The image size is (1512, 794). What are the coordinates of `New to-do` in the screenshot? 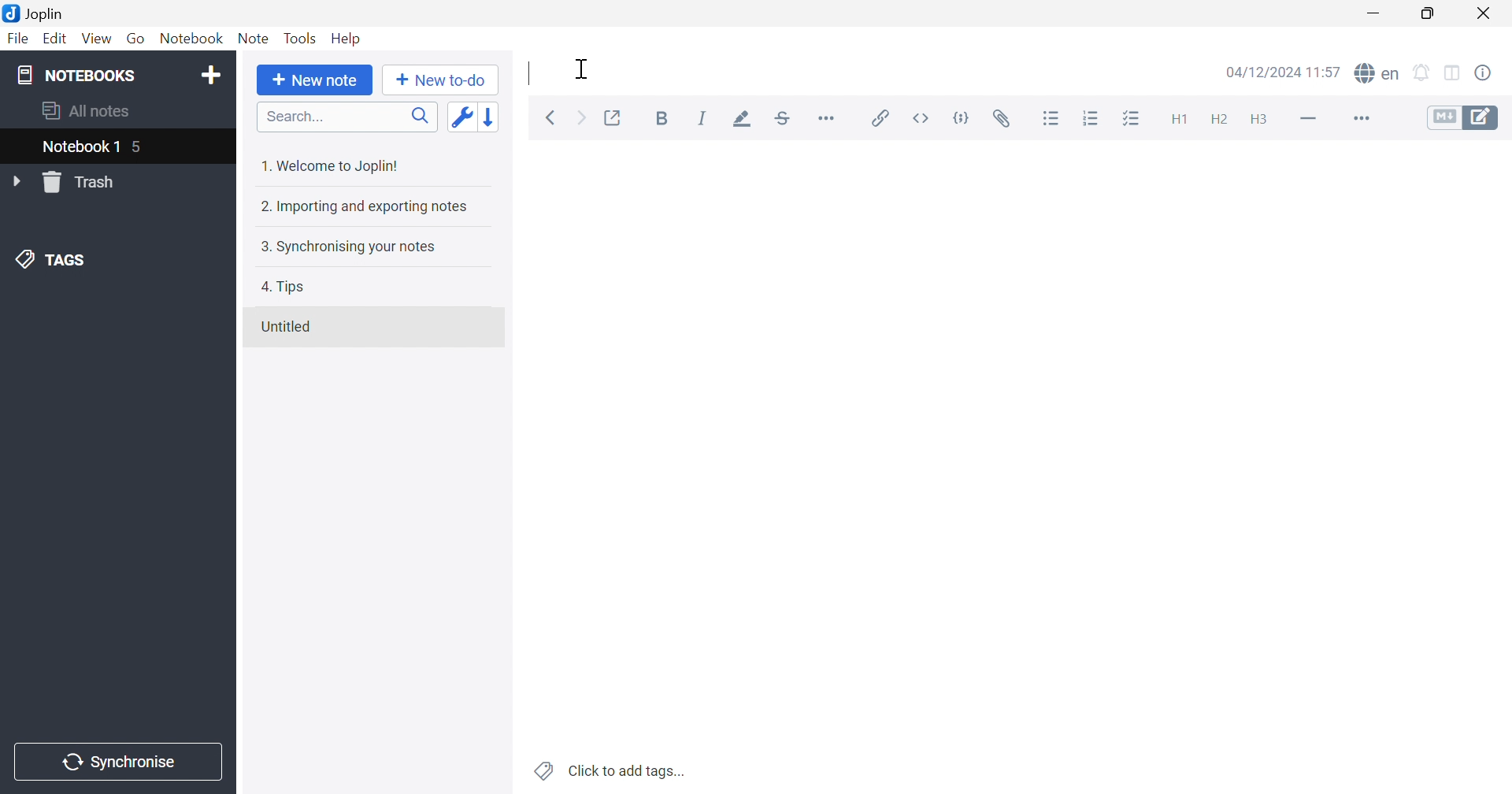 It's located at (441, 80).